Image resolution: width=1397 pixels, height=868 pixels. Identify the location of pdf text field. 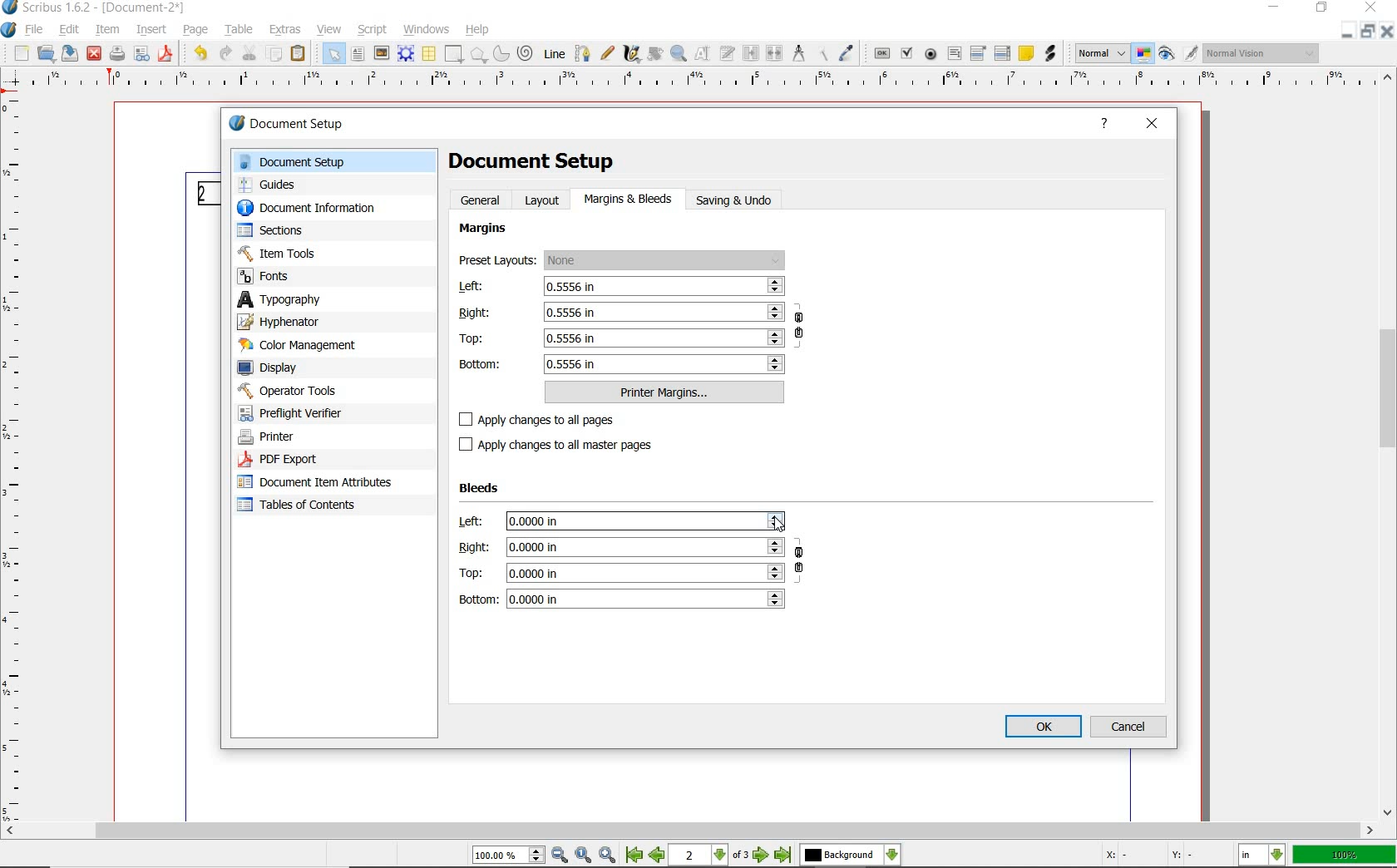
(954, 53).